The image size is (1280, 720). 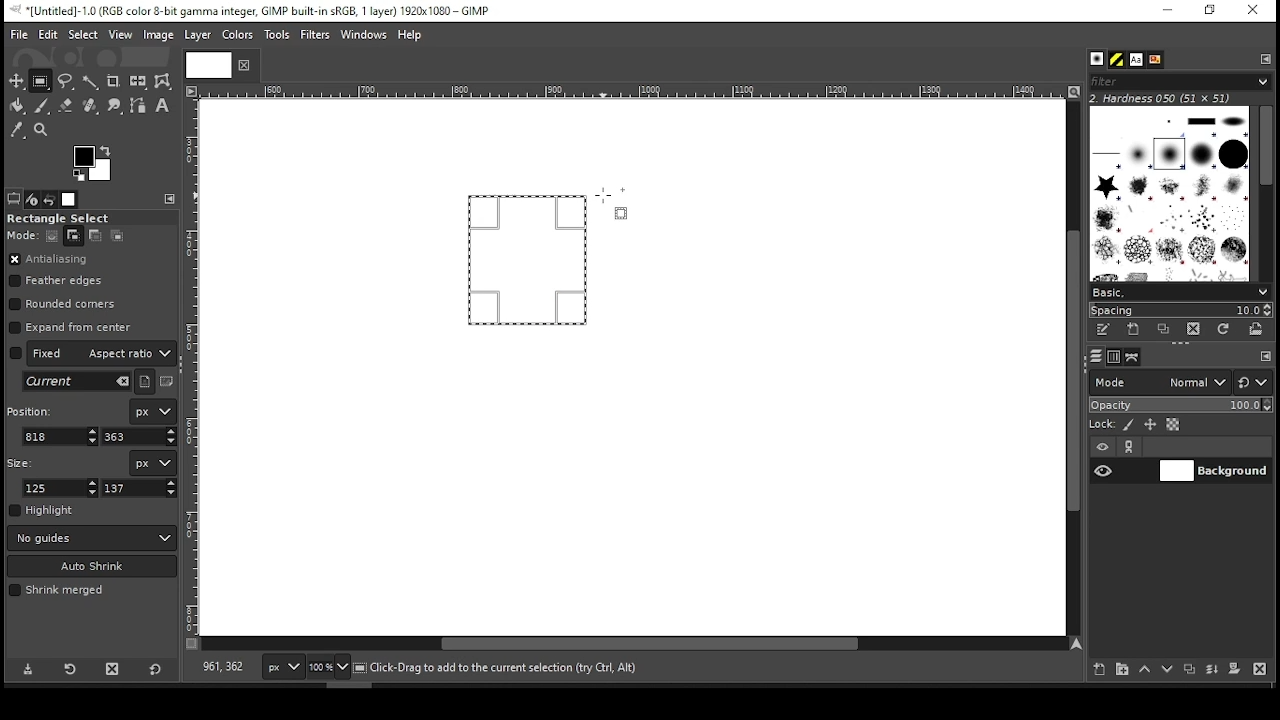 I want to click on layers, so click(x=1095, y=357).